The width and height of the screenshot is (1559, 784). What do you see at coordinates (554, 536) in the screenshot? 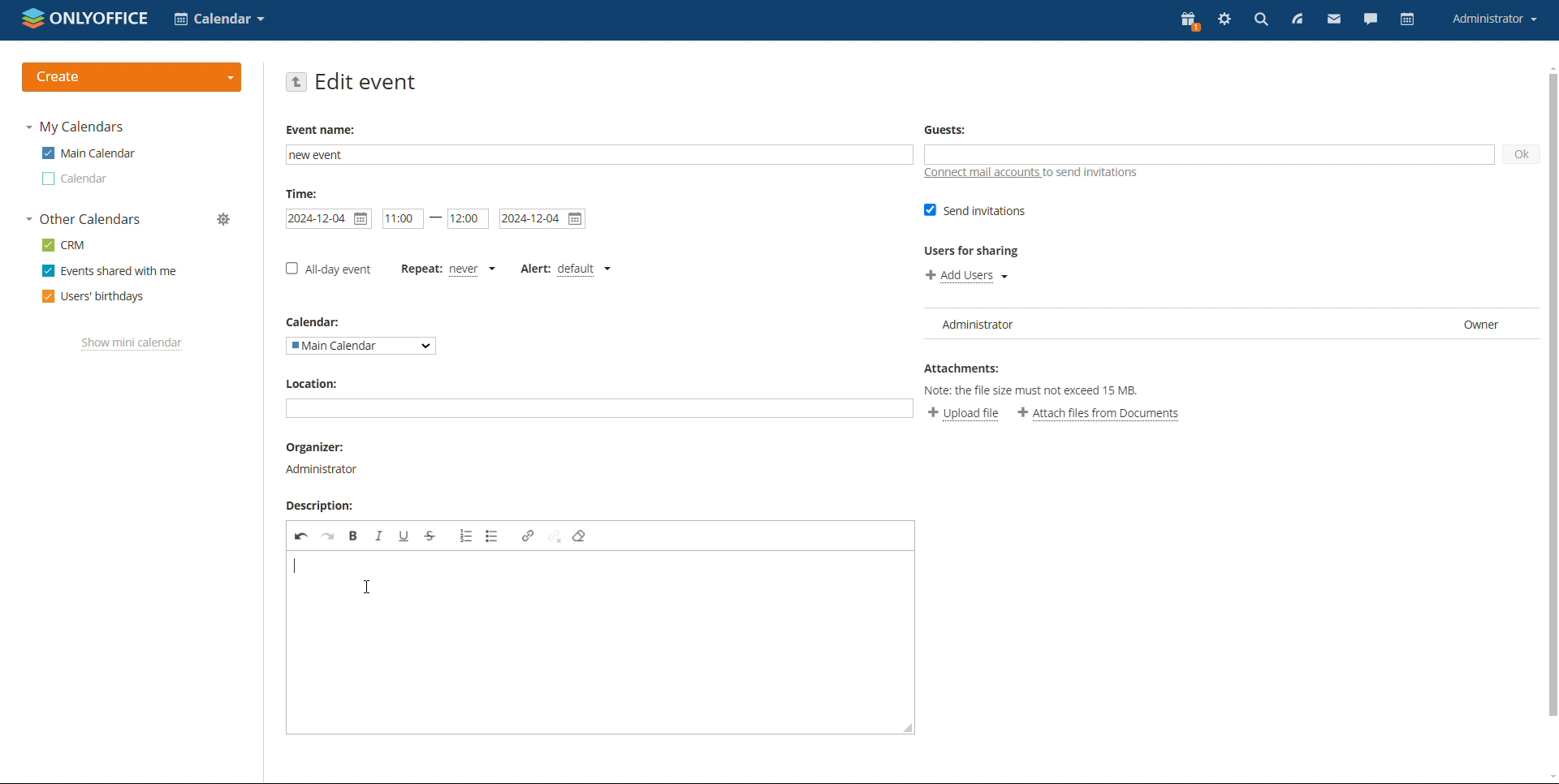
I see `unlink` at bounding box center [554, 536].